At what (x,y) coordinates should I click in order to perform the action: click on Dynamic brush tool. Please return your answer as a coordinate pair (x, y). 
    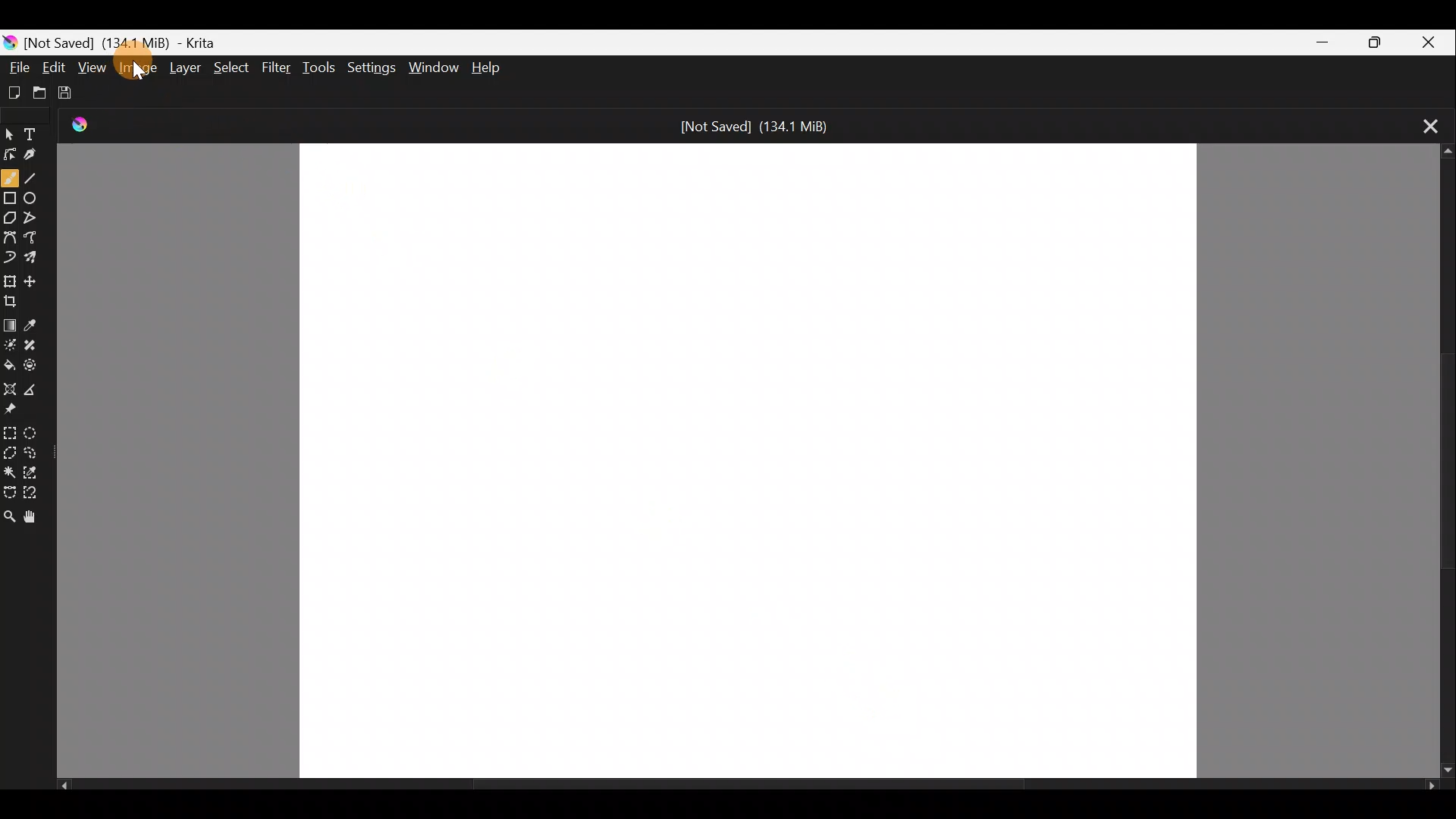
    Looking at the image, I should click on (10, 256).